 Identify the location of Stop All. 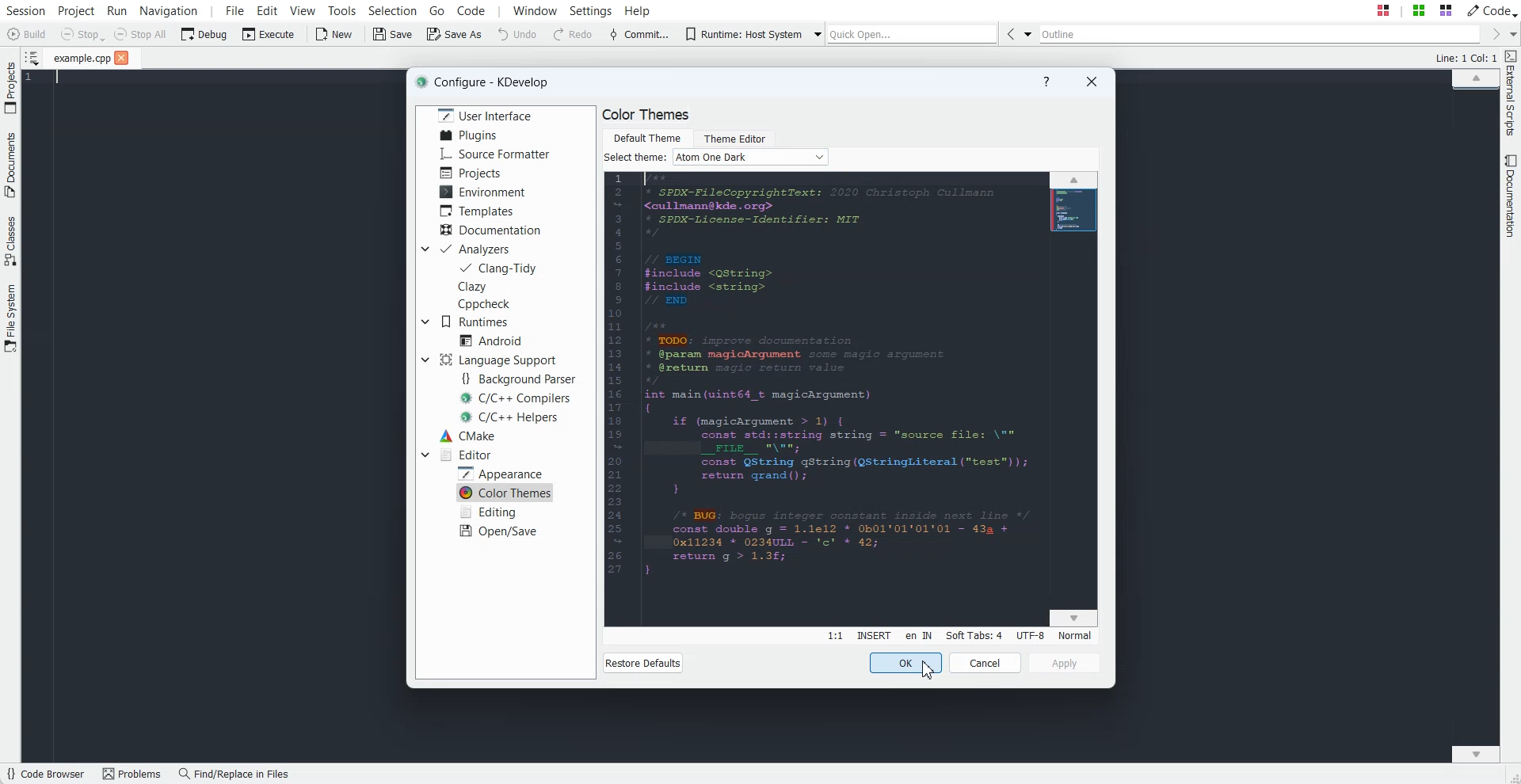
(141, 34).